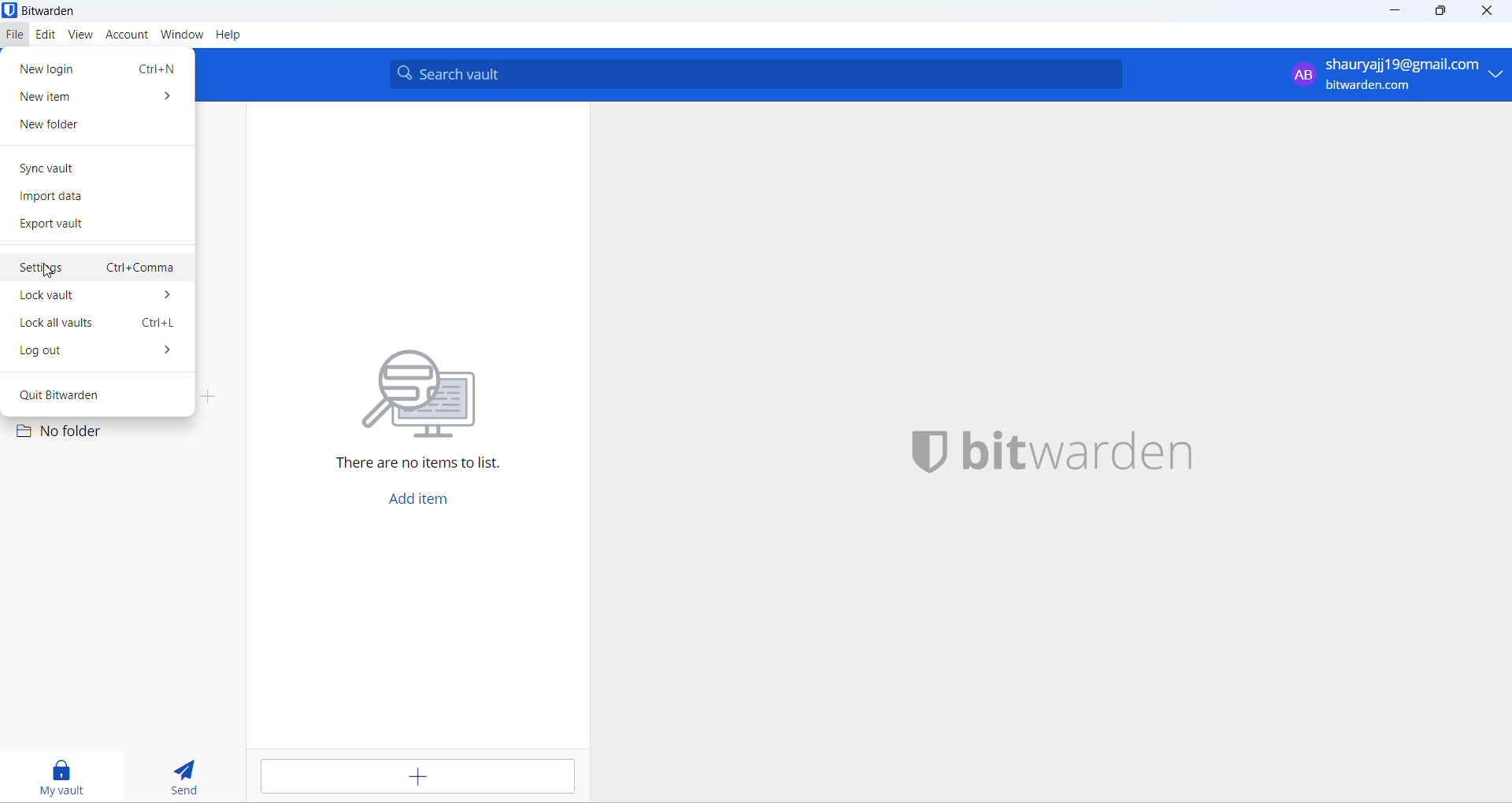  Describe the element at coordinates (81, 34) in the screenshot. I see `view` at that location.